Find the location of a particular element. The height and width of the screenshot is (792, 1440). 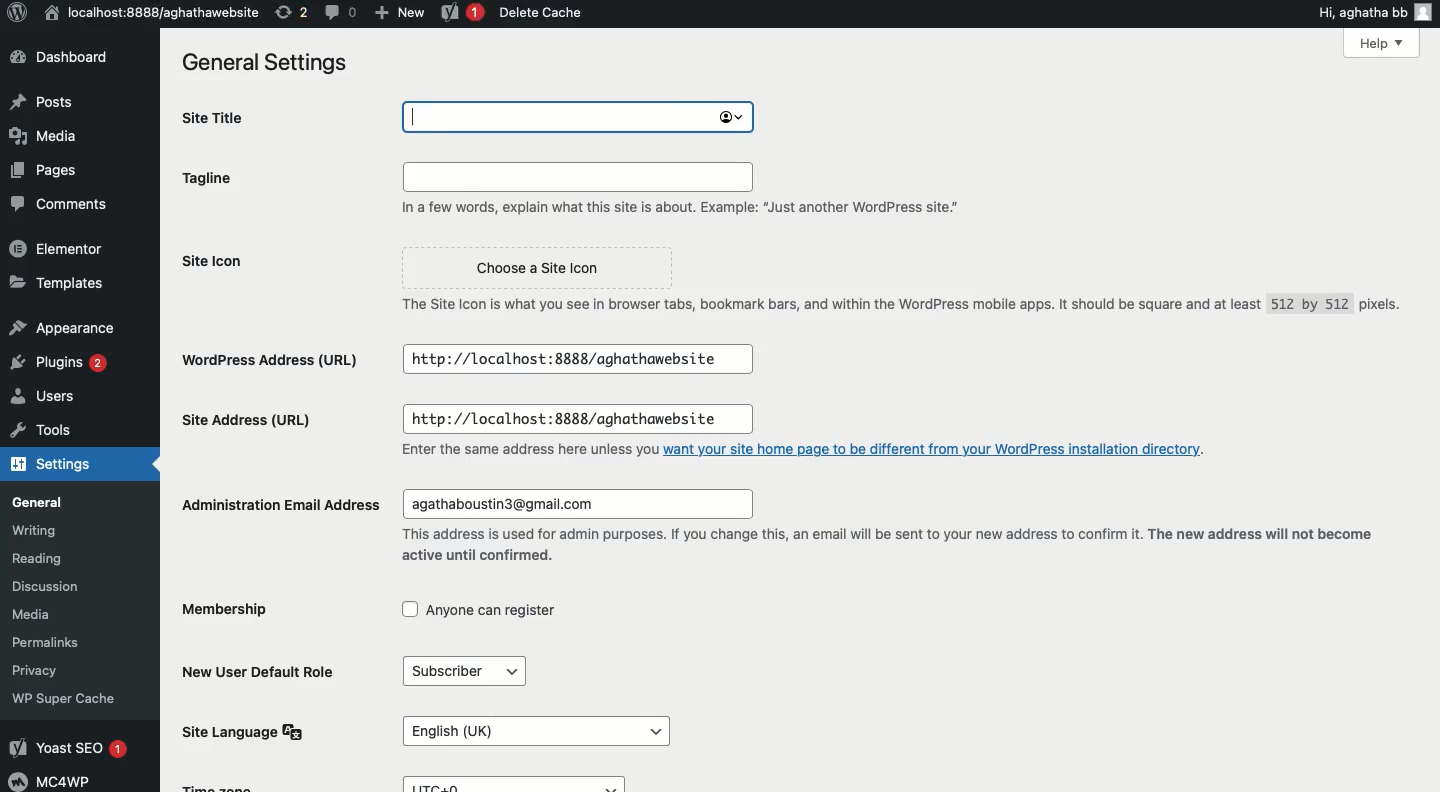

Users is located at coordinates (45, 396).